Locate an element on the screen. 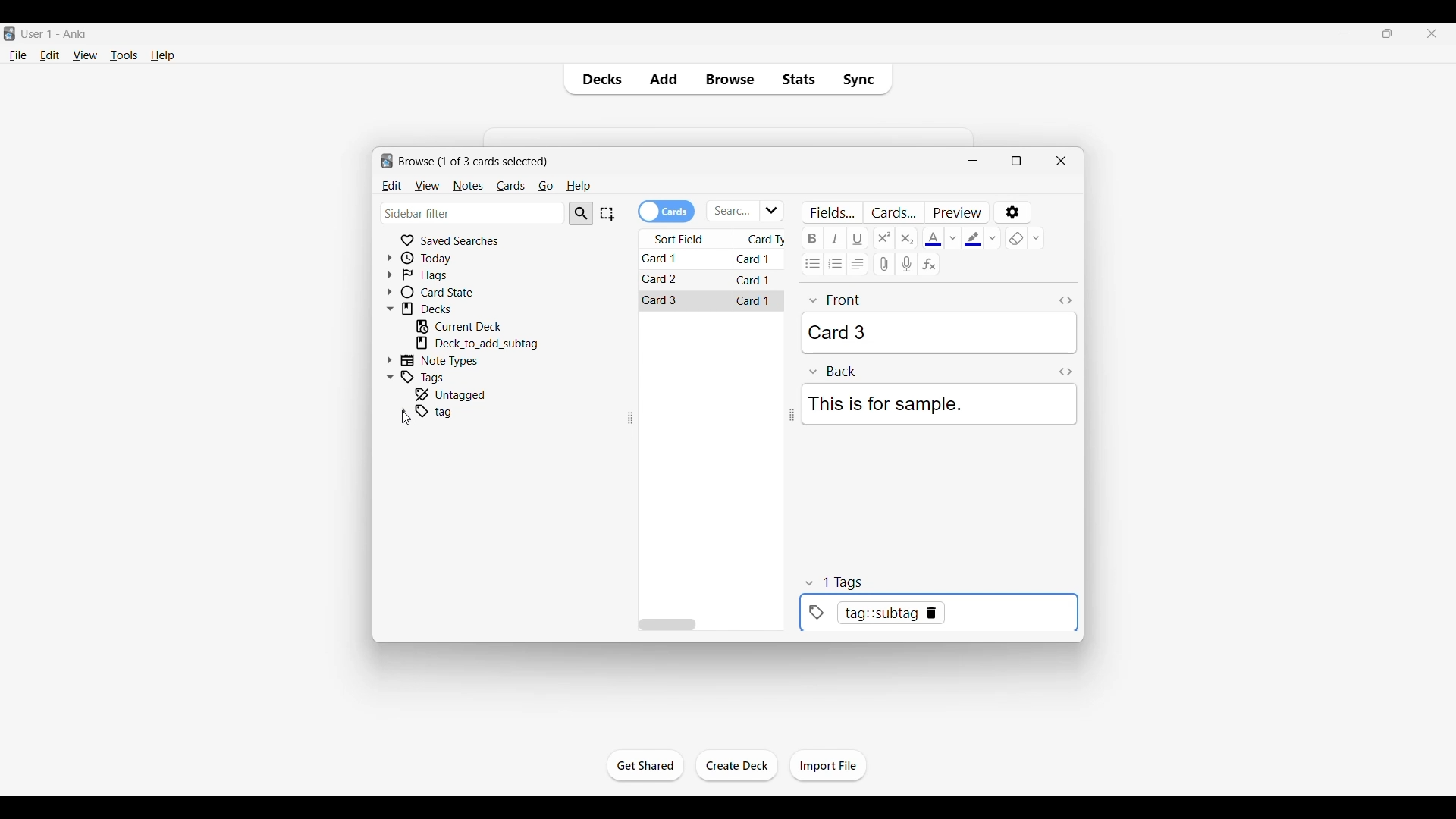 The height and width of the screenshot is (819, 1456). Superscript is located at coordinates (883, 238).